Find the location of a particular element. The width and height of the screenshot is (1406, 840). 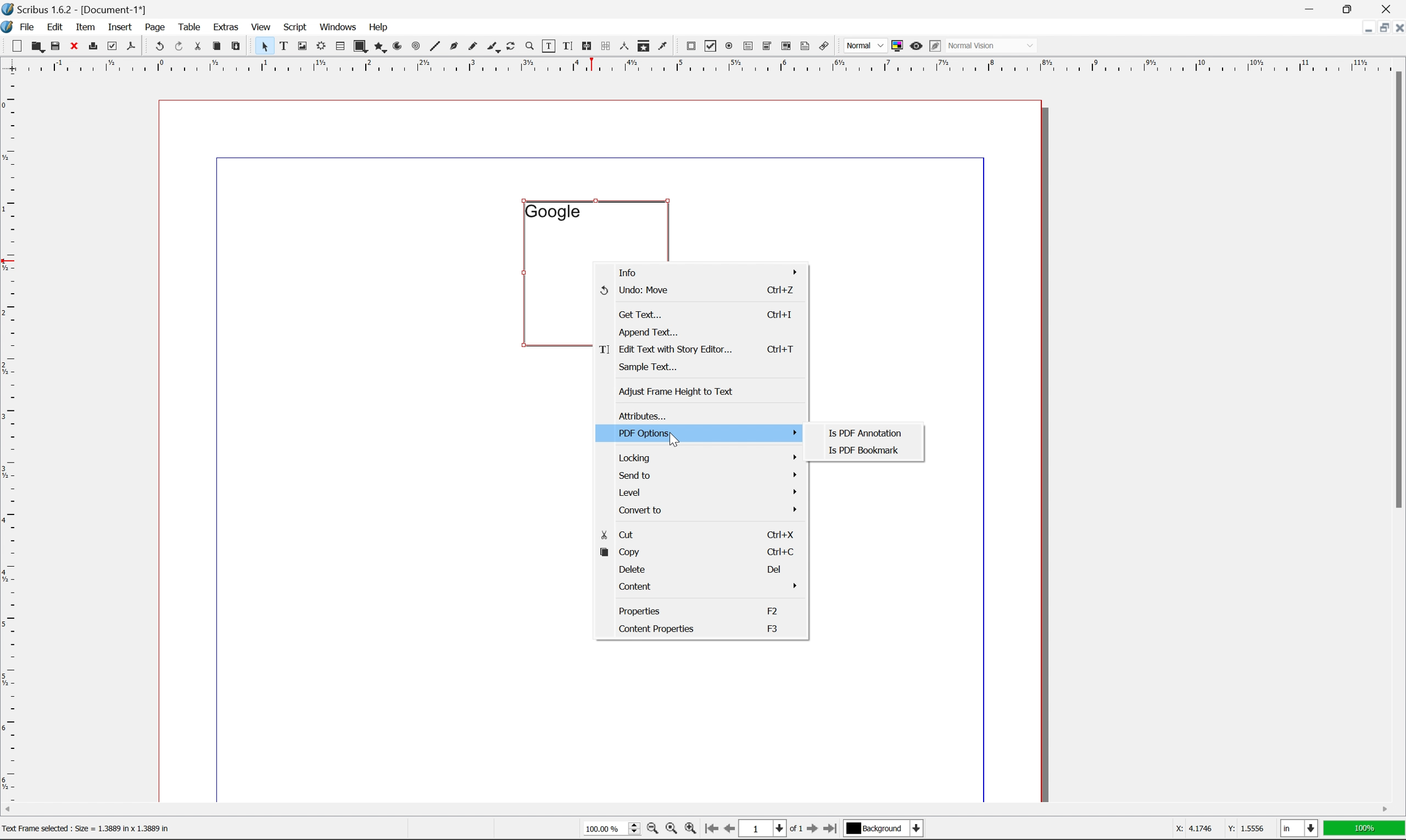

is pdf bookmark is located at coordinates (866, 450).